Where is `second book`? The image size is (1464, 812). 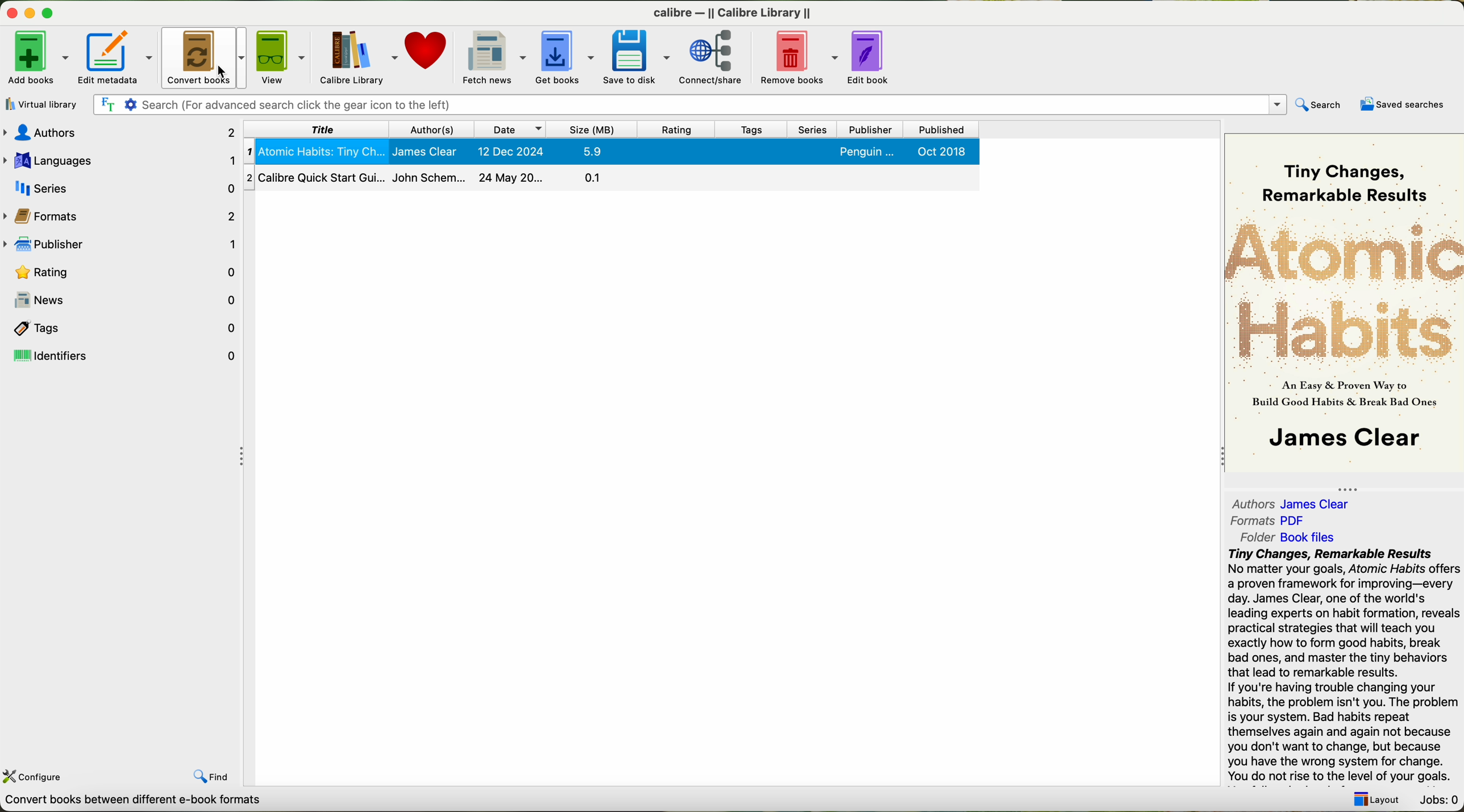 second book is located at coordinates (610, 180).